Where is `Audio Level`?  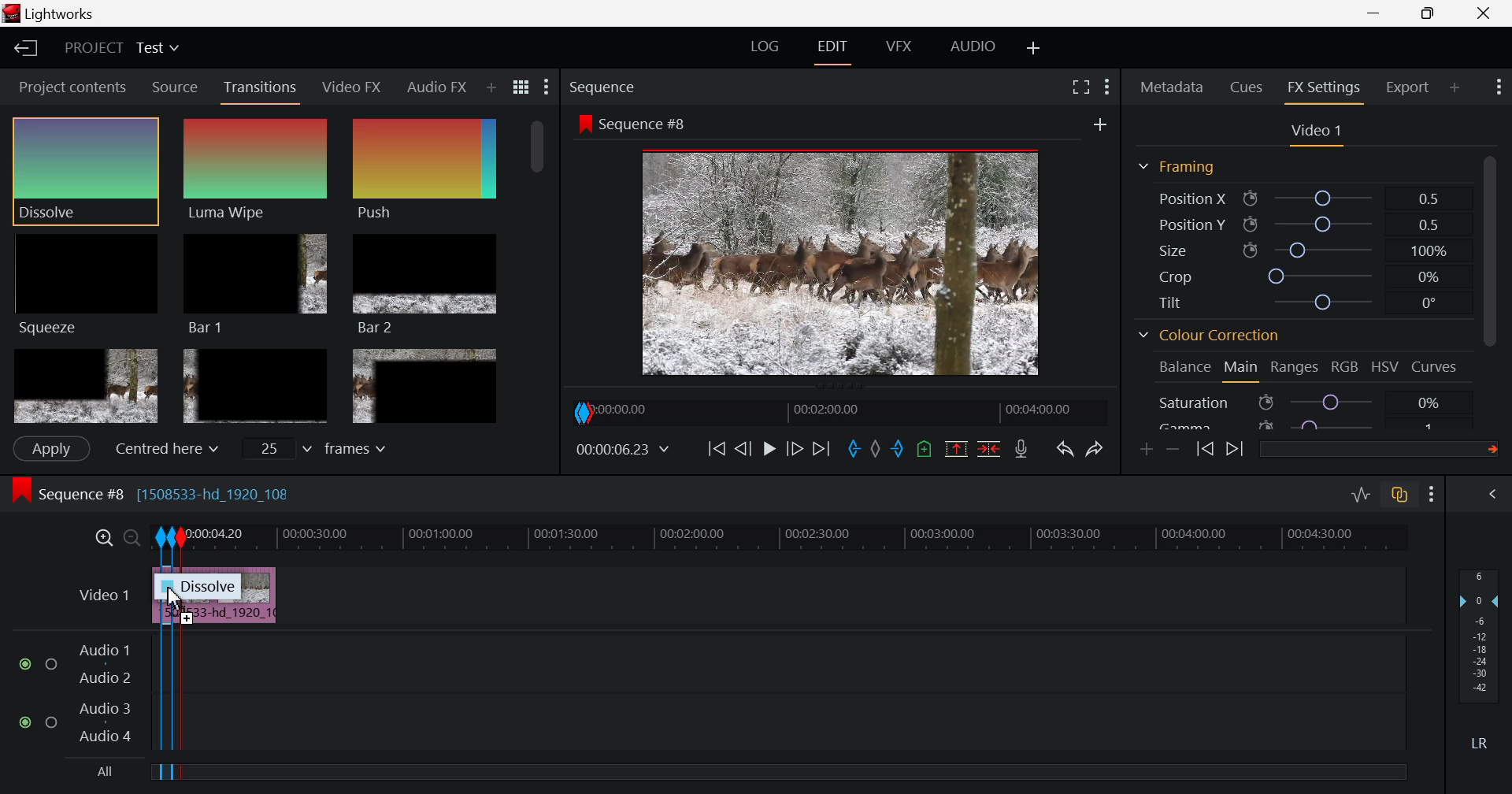 Audio Level is located at coordinates (1484, 661).